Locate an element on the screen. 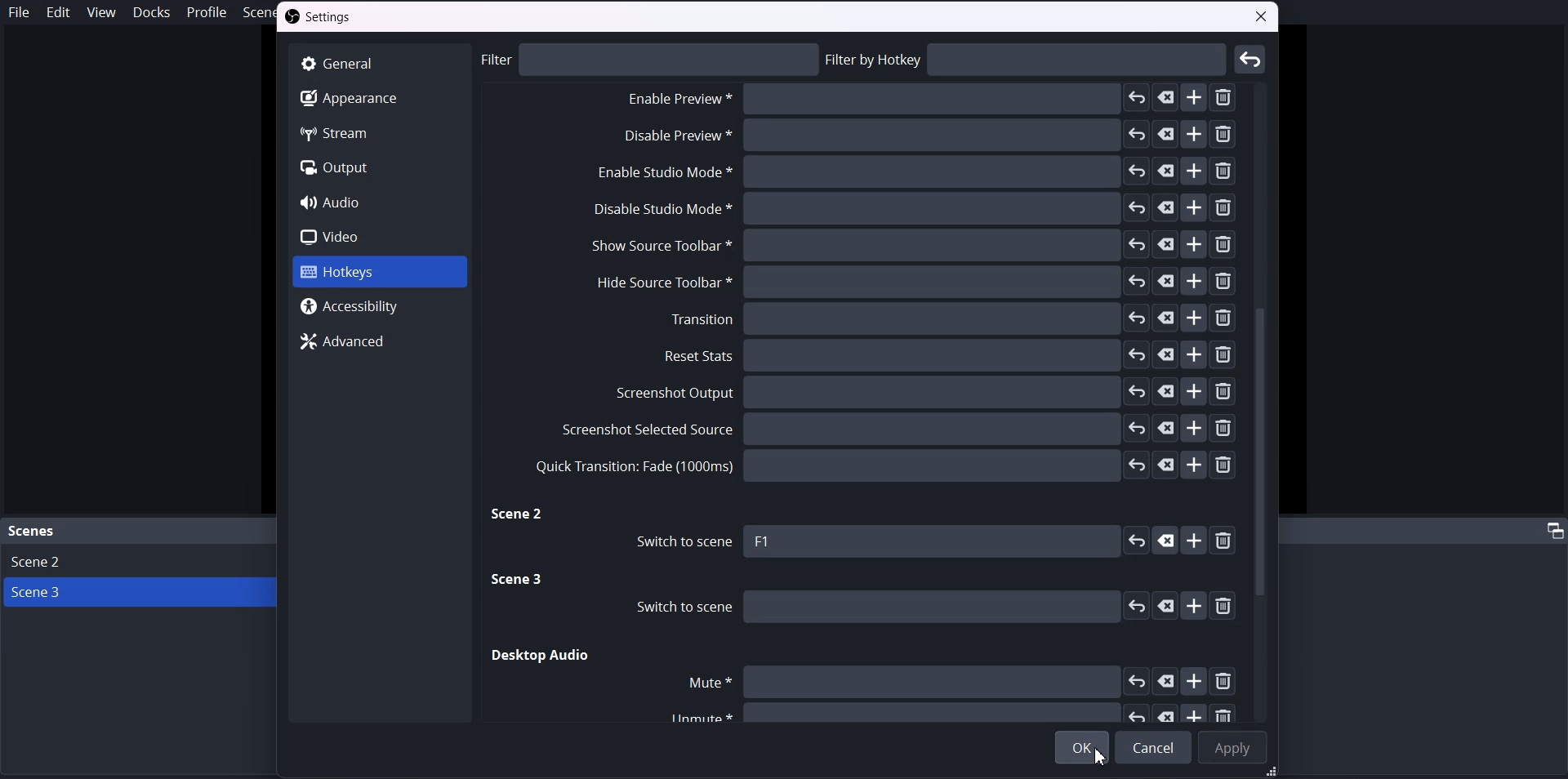  Scene is located at coordinates (33, 532).